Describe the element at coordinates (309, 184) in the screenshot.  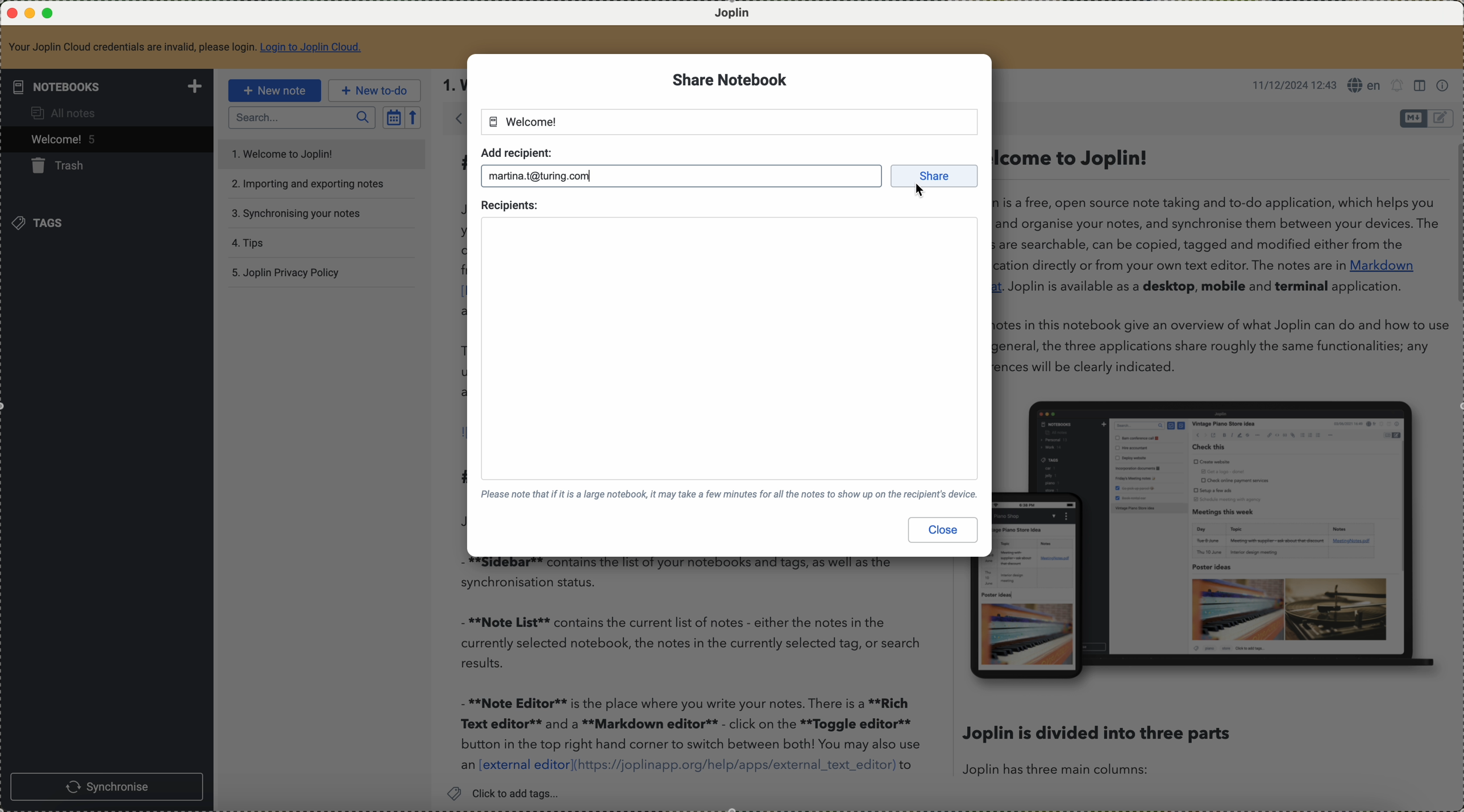
I see `importing and exporting notes` at that location.